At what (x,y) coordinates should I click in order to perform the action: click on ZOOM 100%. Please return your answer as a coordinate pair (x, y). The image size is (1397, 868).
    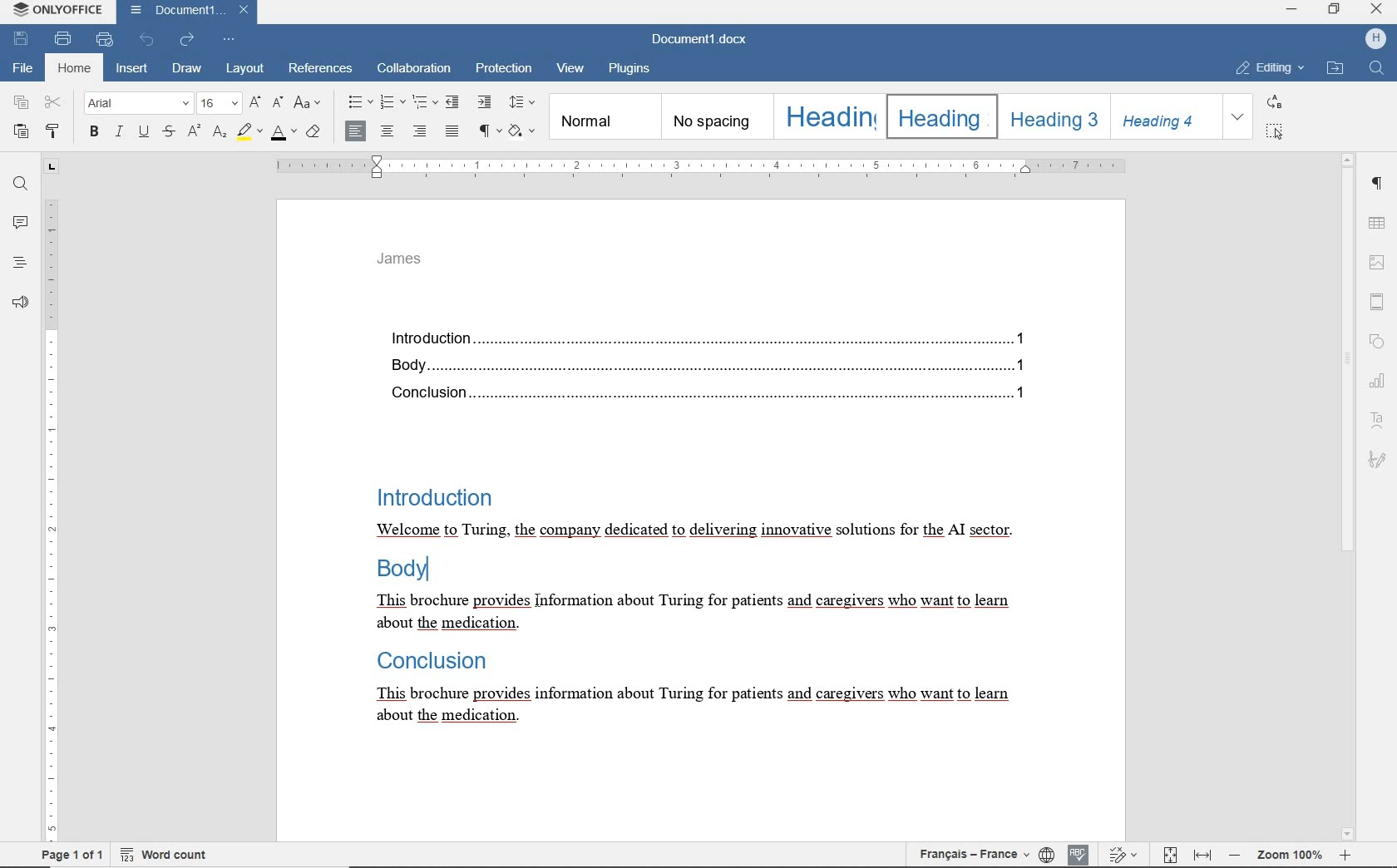
    Looking at the image, I should click on (1287, 856).